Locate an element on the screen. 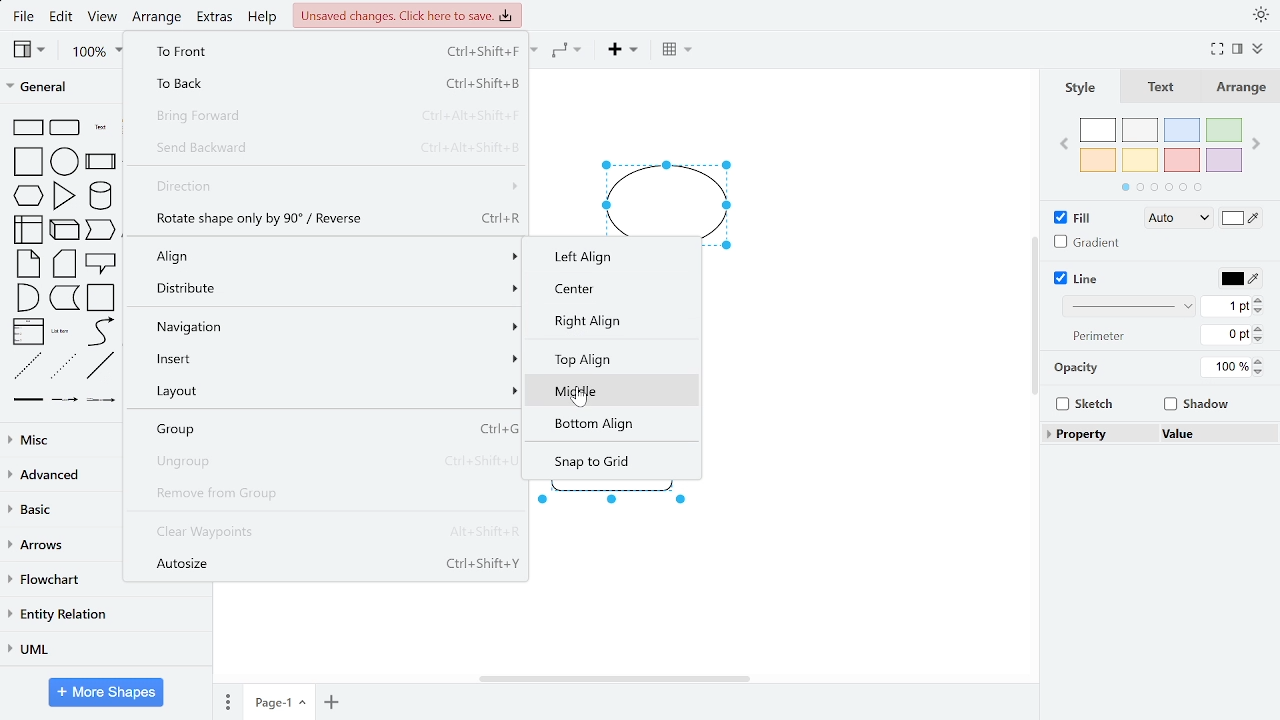 Image resolution: width=1280 pixels, height=720 pixels. center is located at coordinates (618, 291).